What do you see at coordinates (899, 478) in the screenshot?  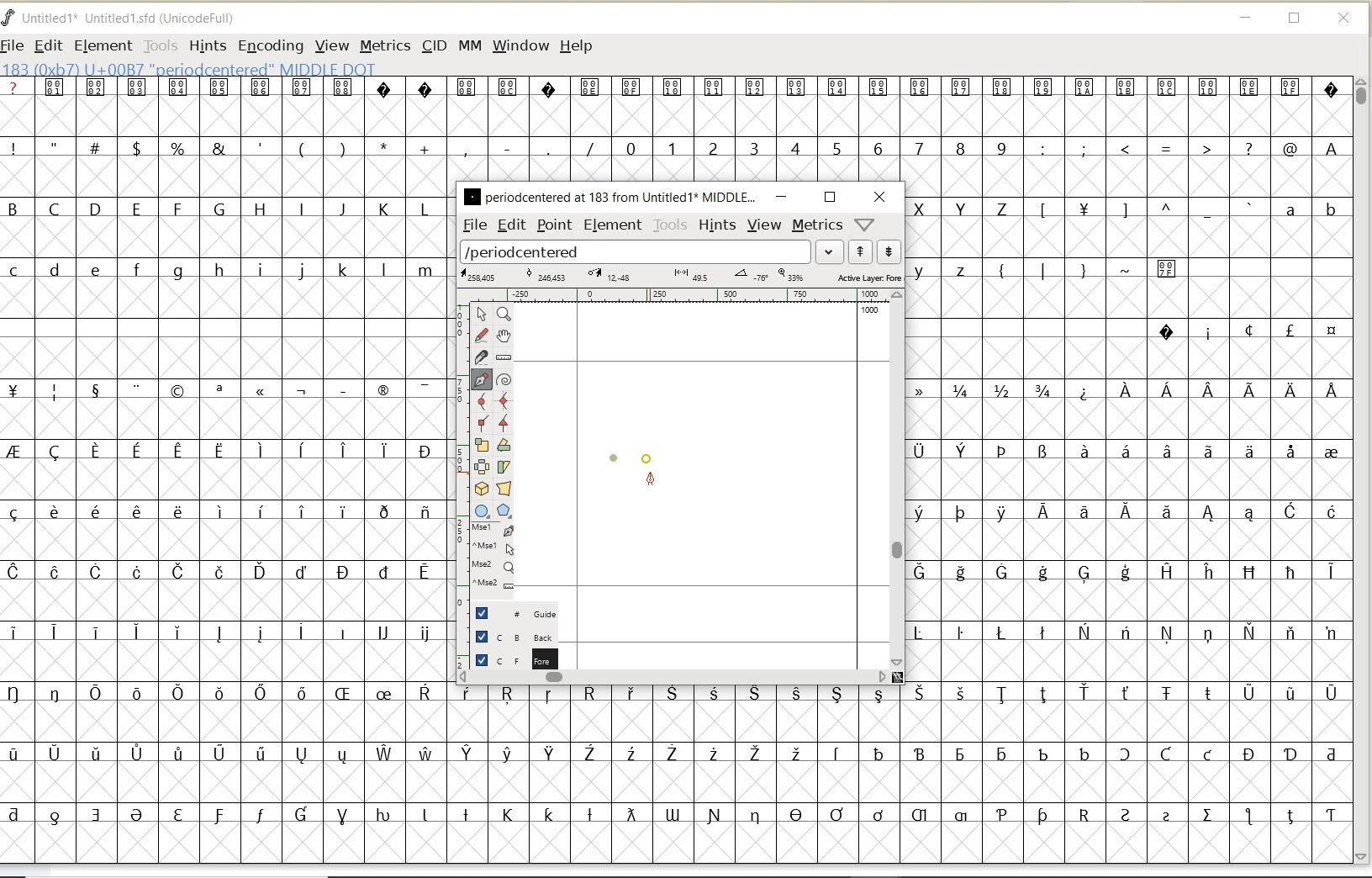 I see `scrollbar` at bounding box center [899, 478].